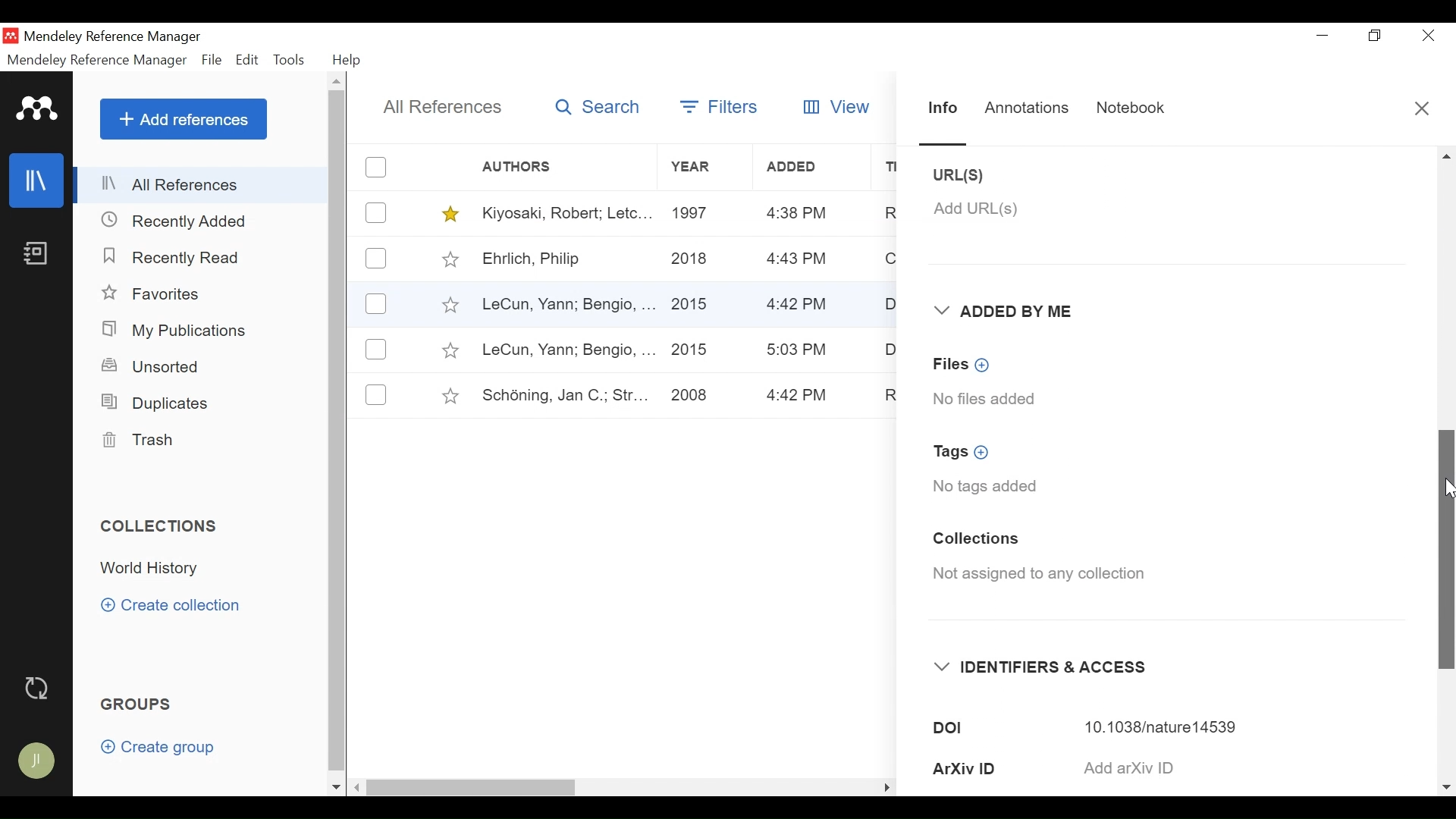 Image resolution: width=1456 pixels, height=819 pixels. Describe the element at coordinates (566, 260) in the screenshot. I see `Ehrlich, Philip` at that location.